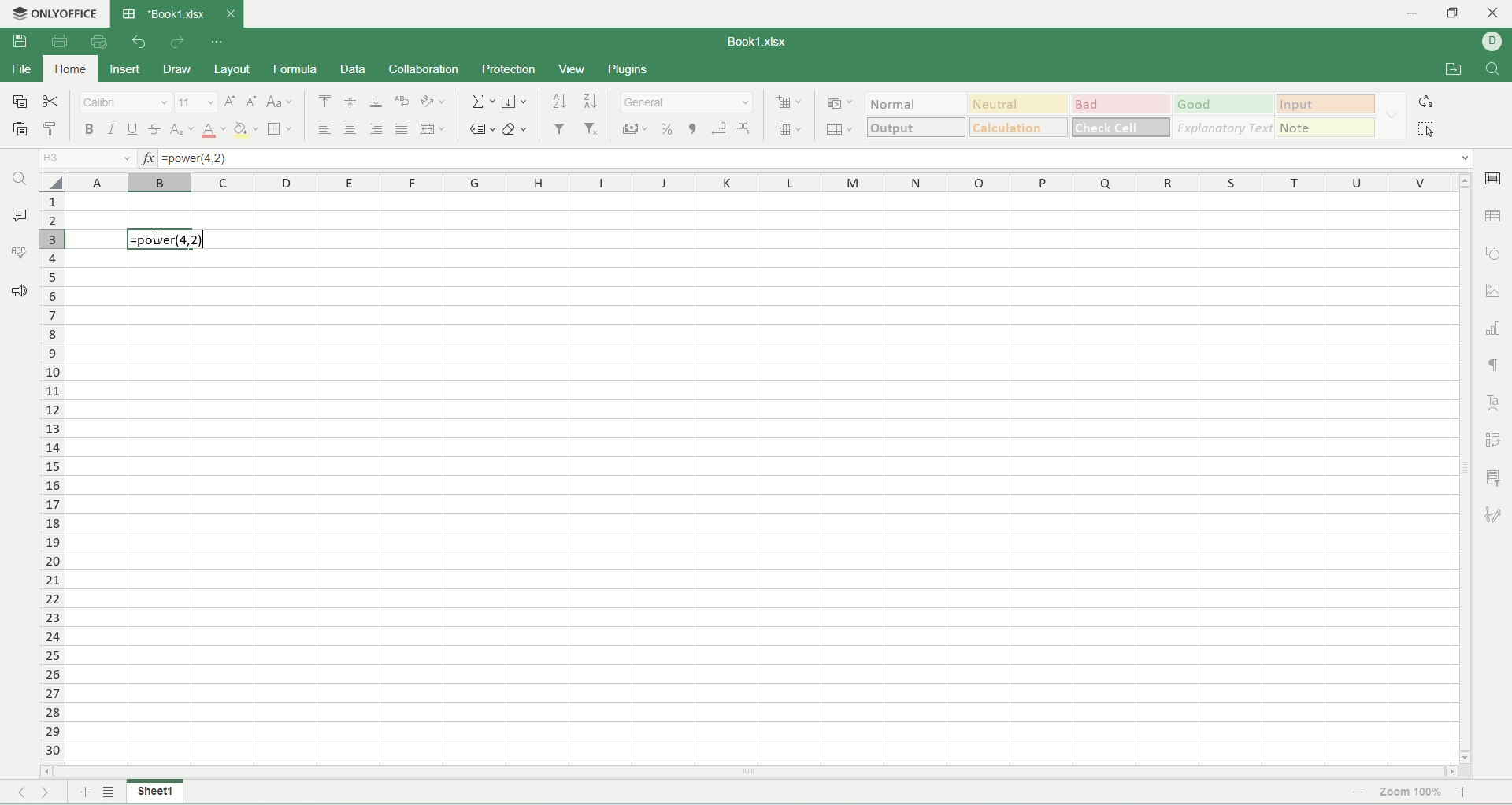 This screenshot has height=805, width=1512. What do you see at coordinates (759, 184) in the screenshot?
I see `column name` at bounding box center [759, 184].